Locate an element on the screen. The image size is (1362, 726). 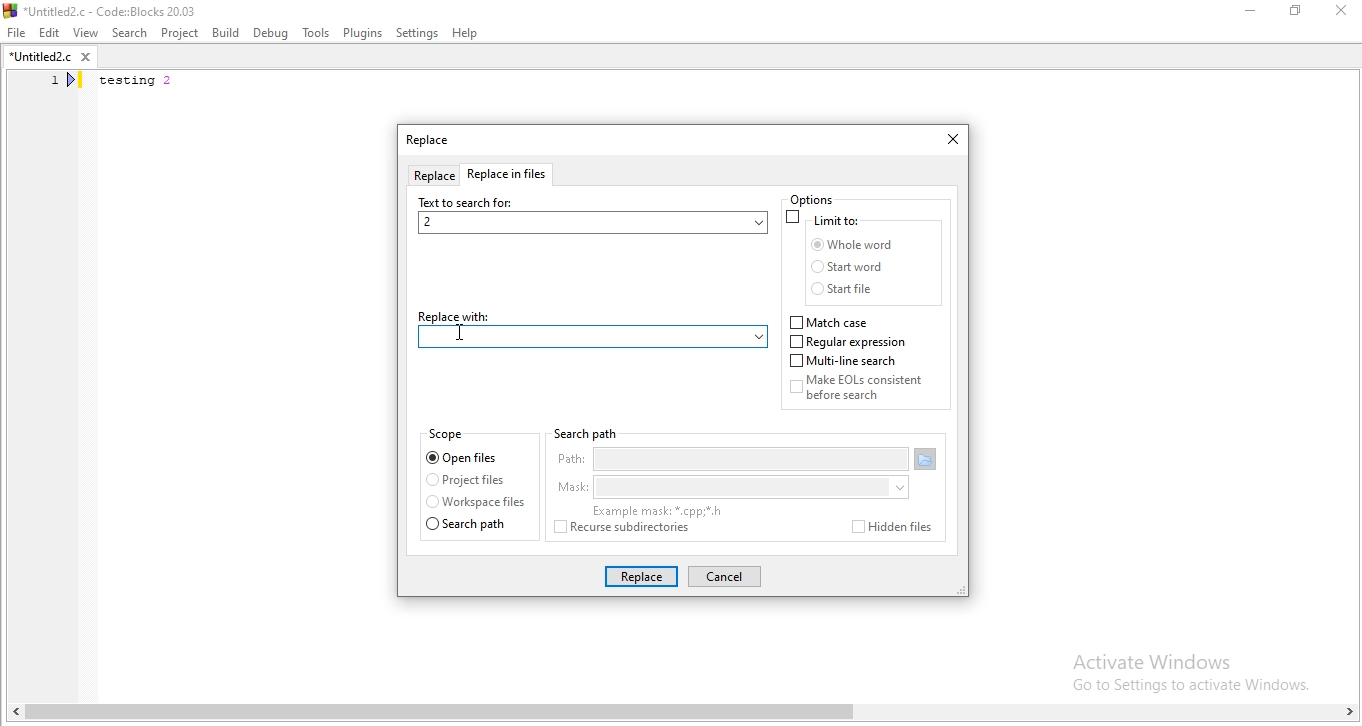
search path is located at coordinates (474, 525).